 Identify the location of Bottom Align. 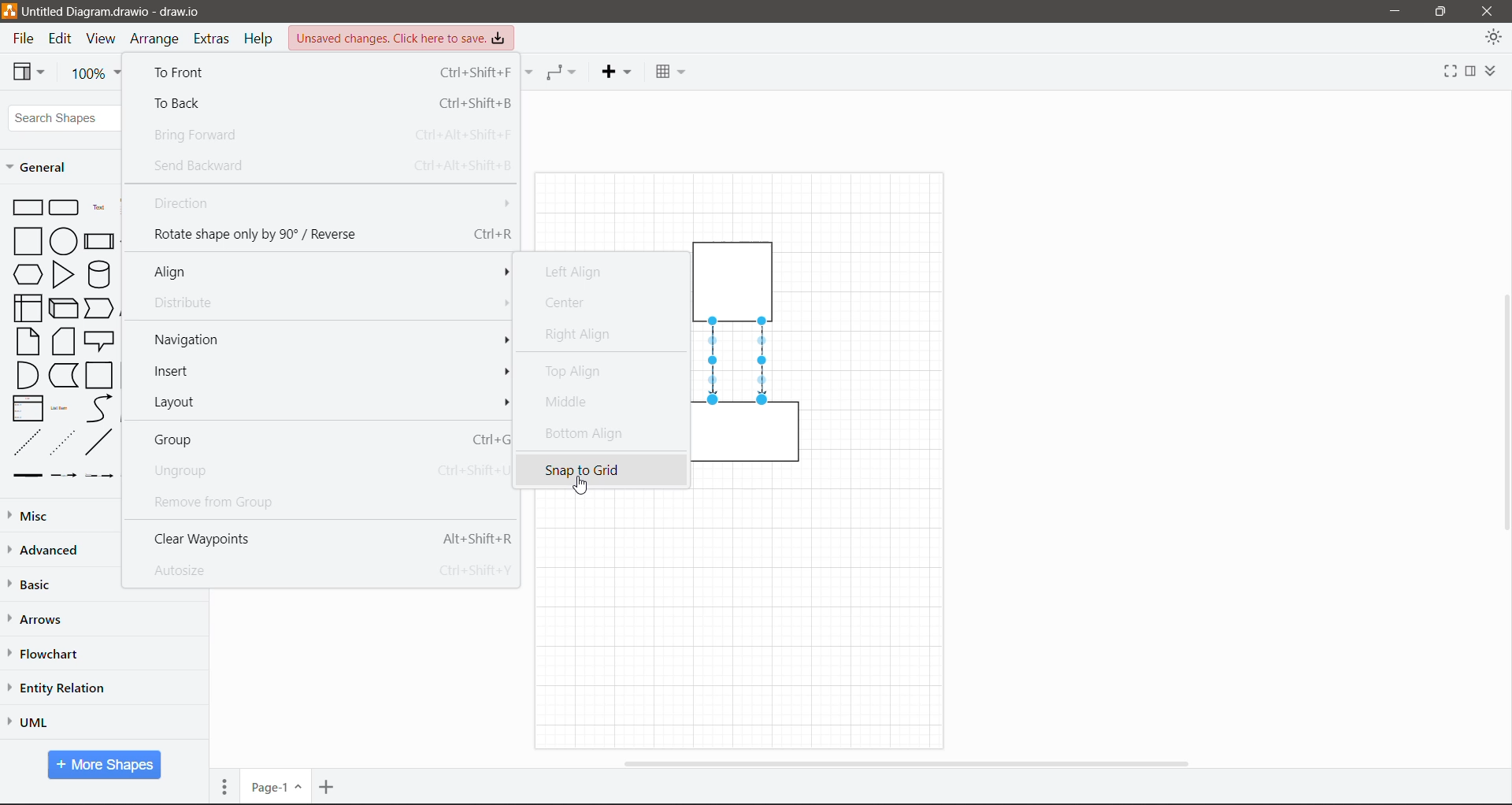
(591, 433).